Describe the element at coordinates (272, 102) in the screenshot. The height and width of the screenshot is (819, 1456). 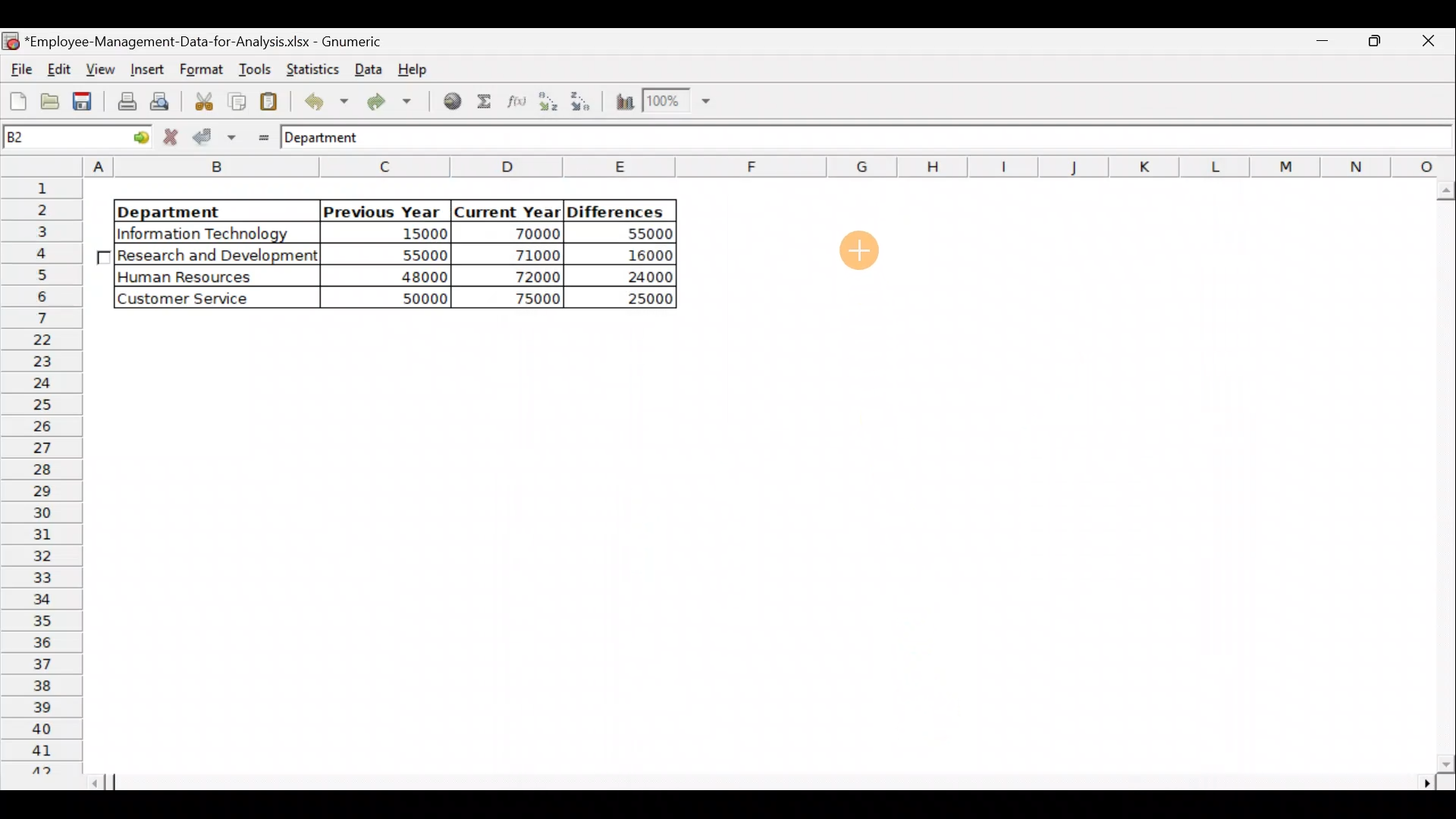
I see `Paste the clipboard` at that location.